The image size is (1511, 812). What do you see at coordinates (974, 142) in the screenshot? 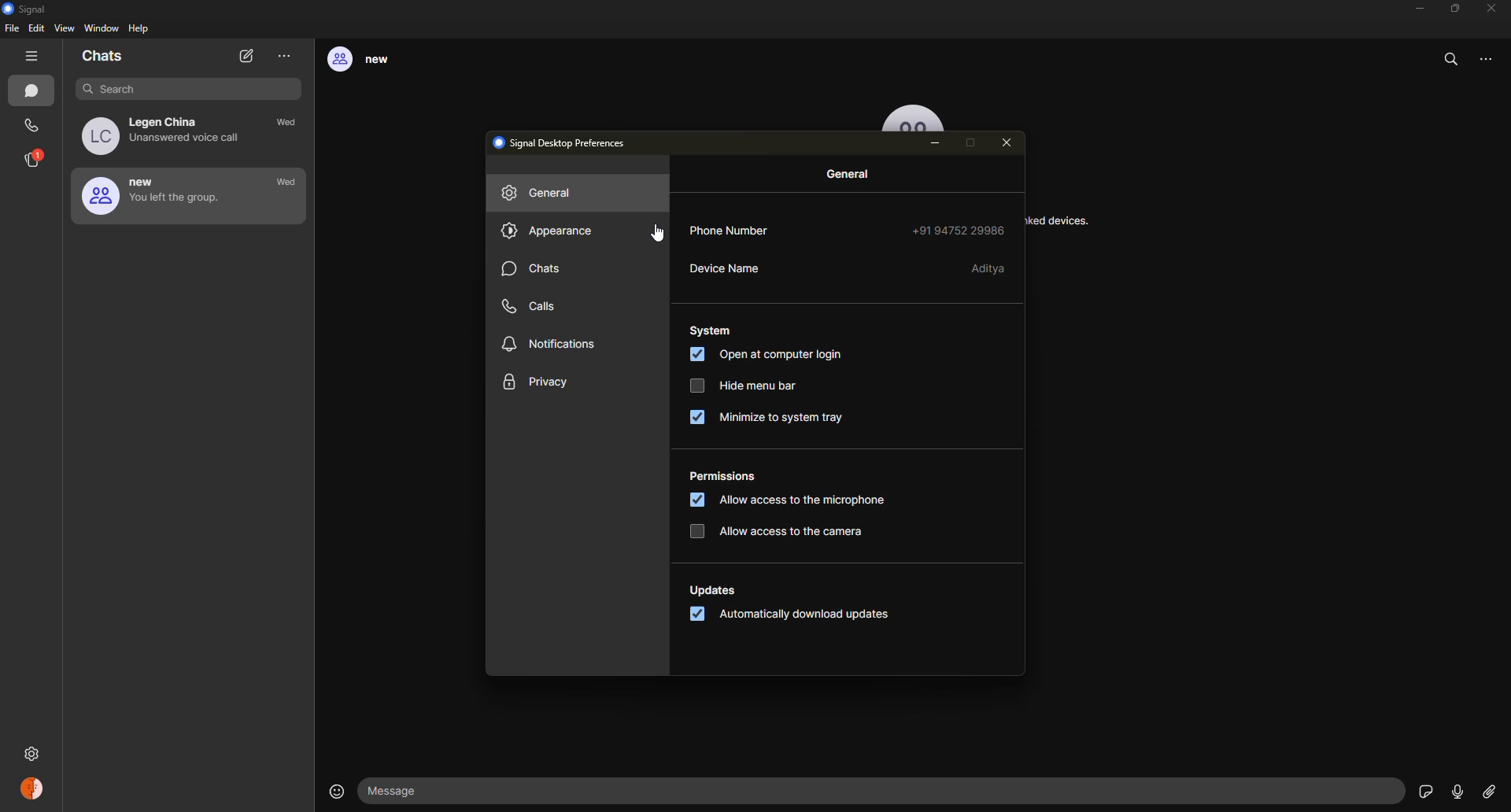
I see `max` at bounding box center [974, 142].